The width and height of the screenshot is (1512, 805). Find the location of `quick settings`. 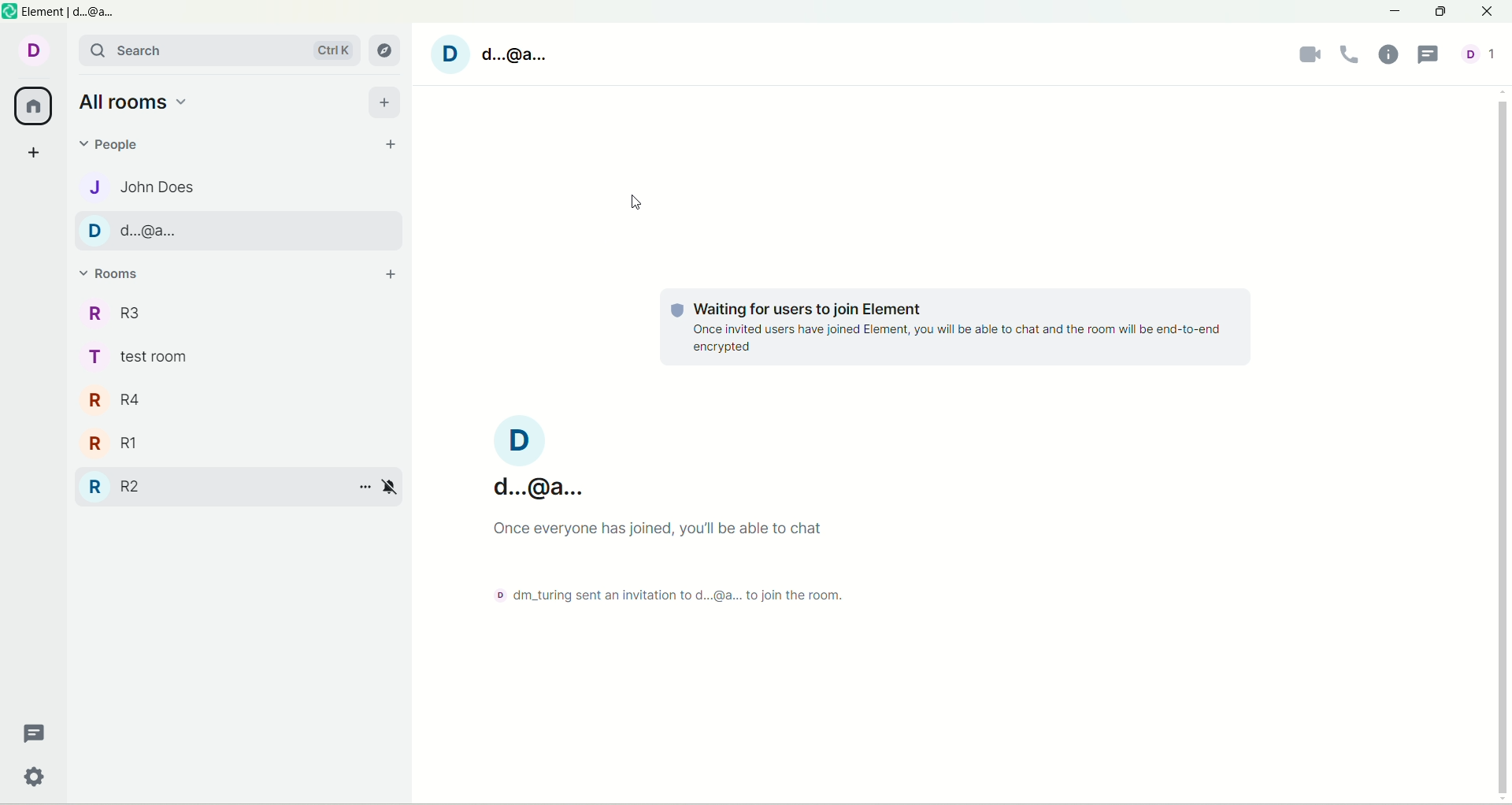

quick settings is located at coordinates (35, 778).